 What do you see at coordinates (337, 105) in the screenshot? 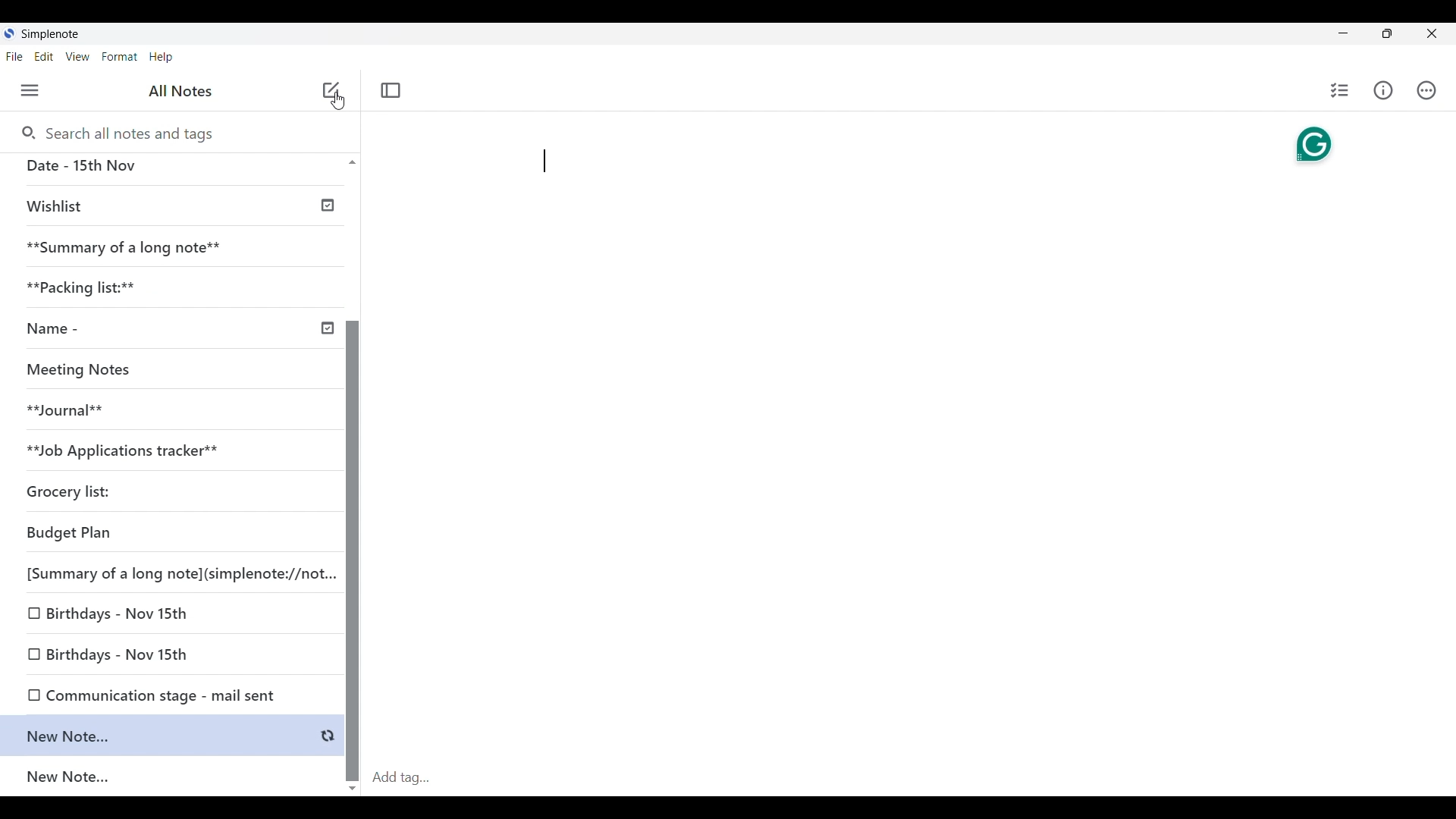
I see `Cursor` at bounding box center [337, 105].